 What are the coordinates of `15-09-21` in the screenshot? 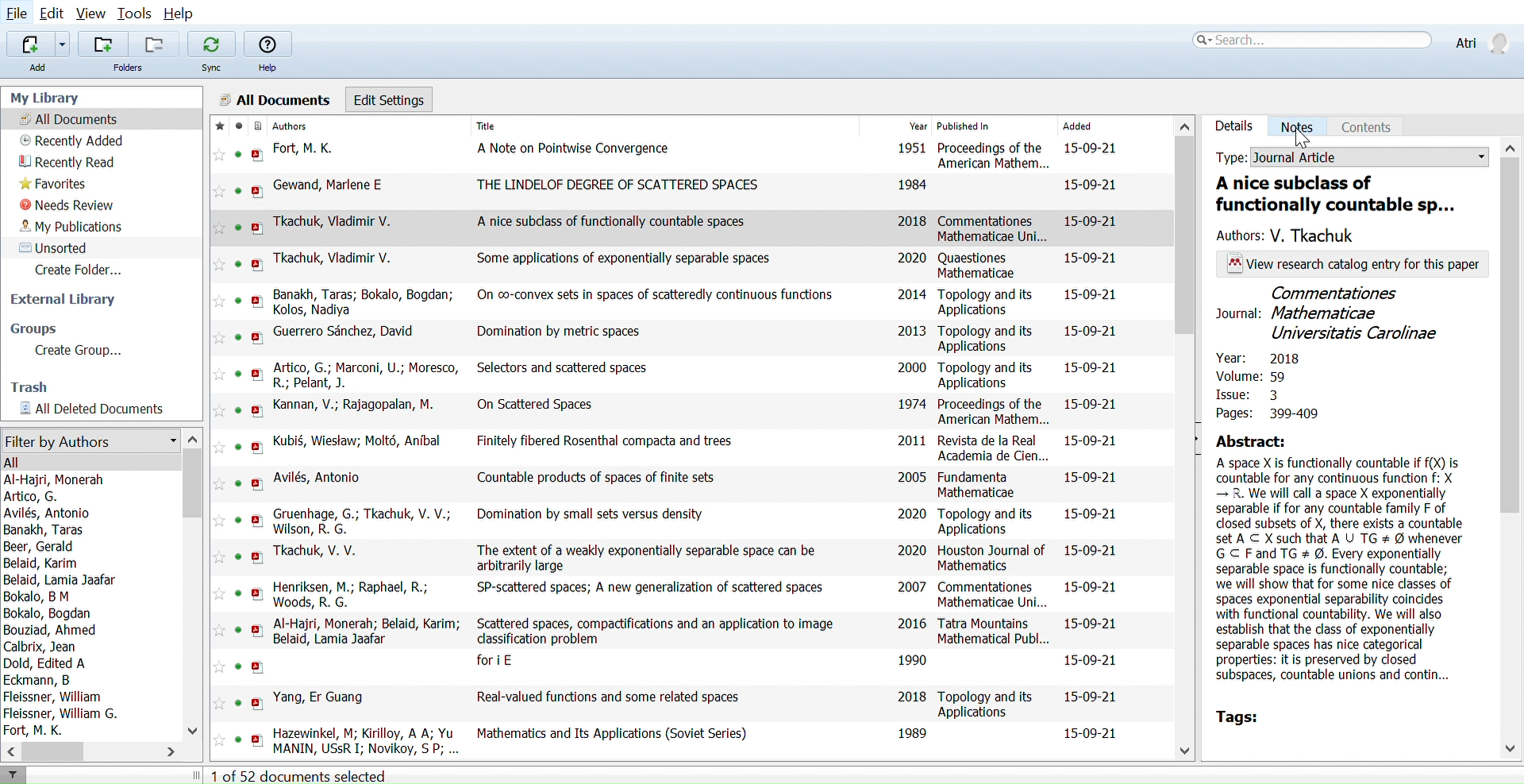 It's located at (1094, 404).